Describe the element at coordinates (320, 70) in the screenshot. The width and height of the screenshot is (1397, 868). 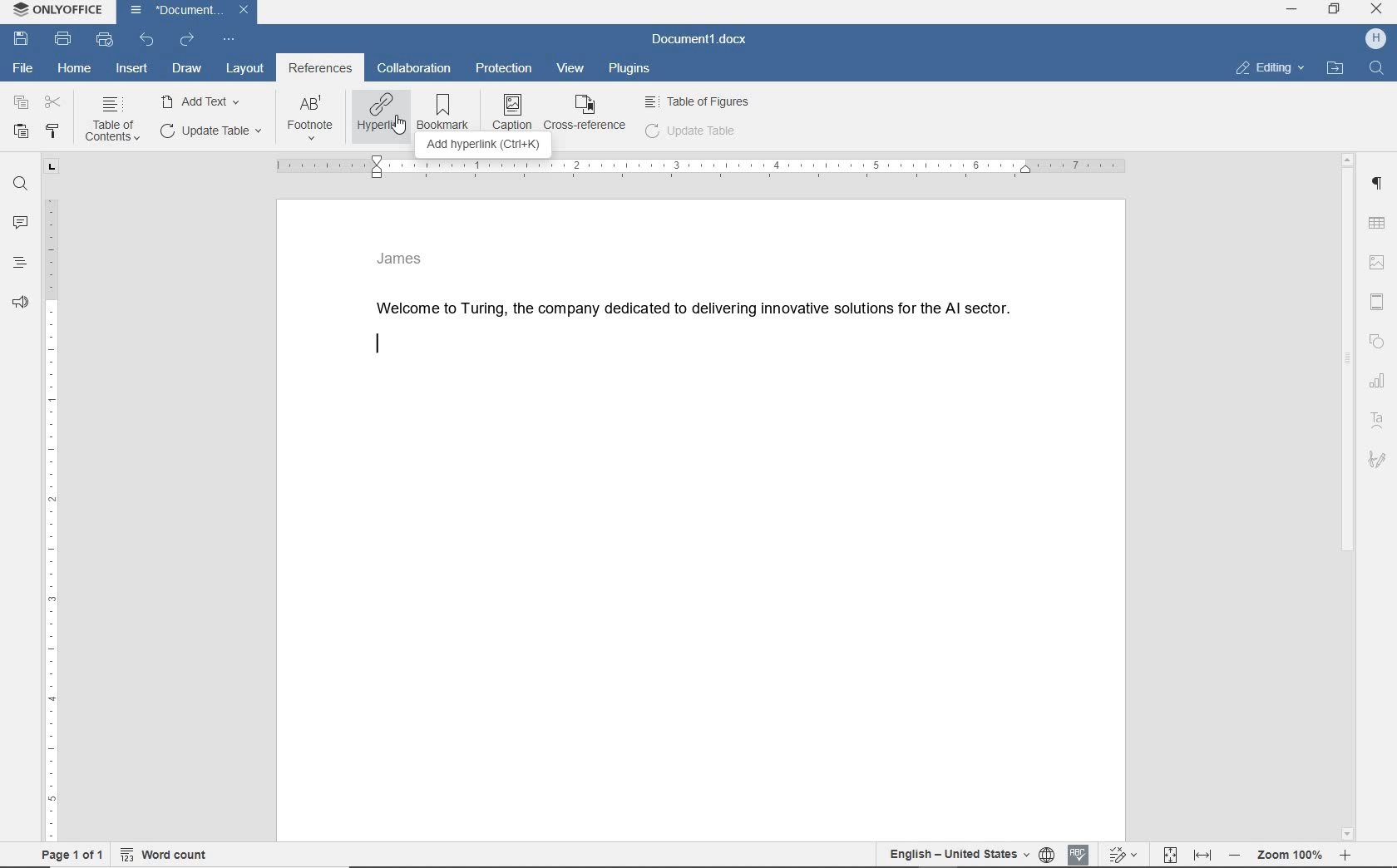
I see `references` at that location.